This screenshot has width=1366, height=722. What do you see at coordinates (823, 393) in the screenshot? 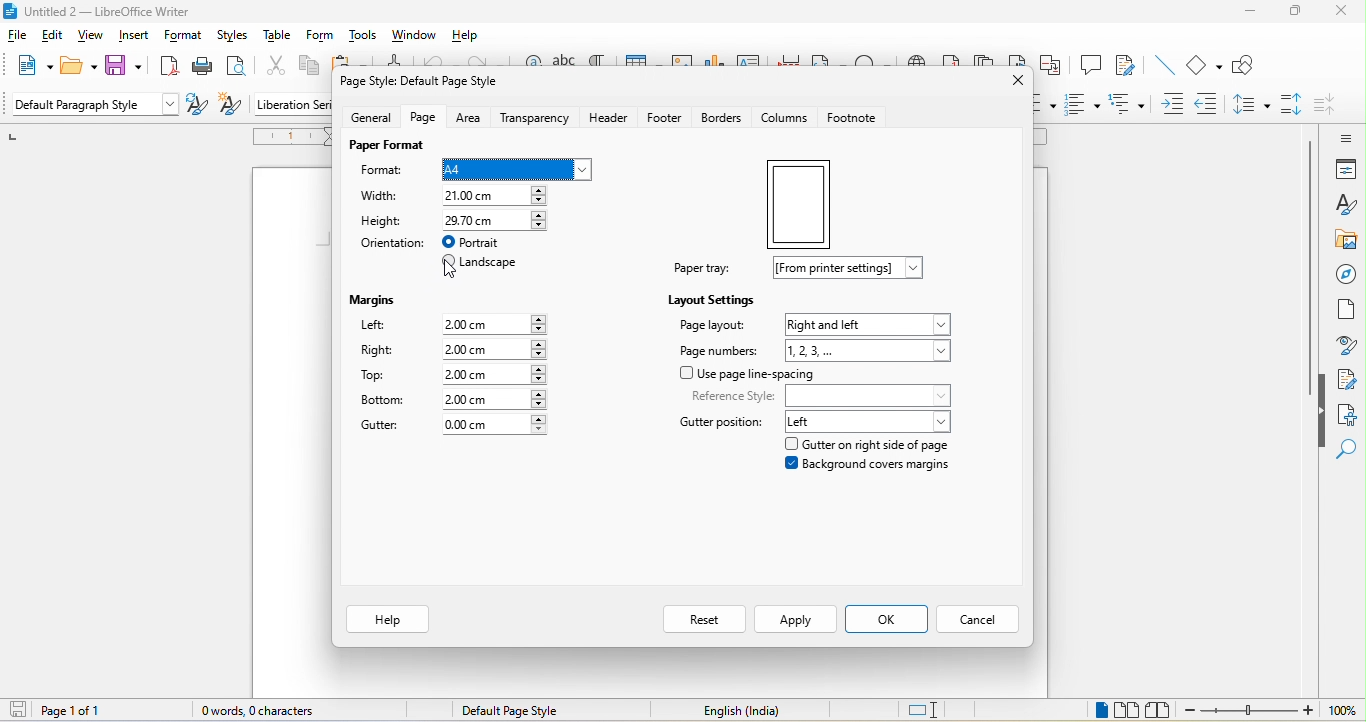
I see `reference style` at bounding box center [823, 393].